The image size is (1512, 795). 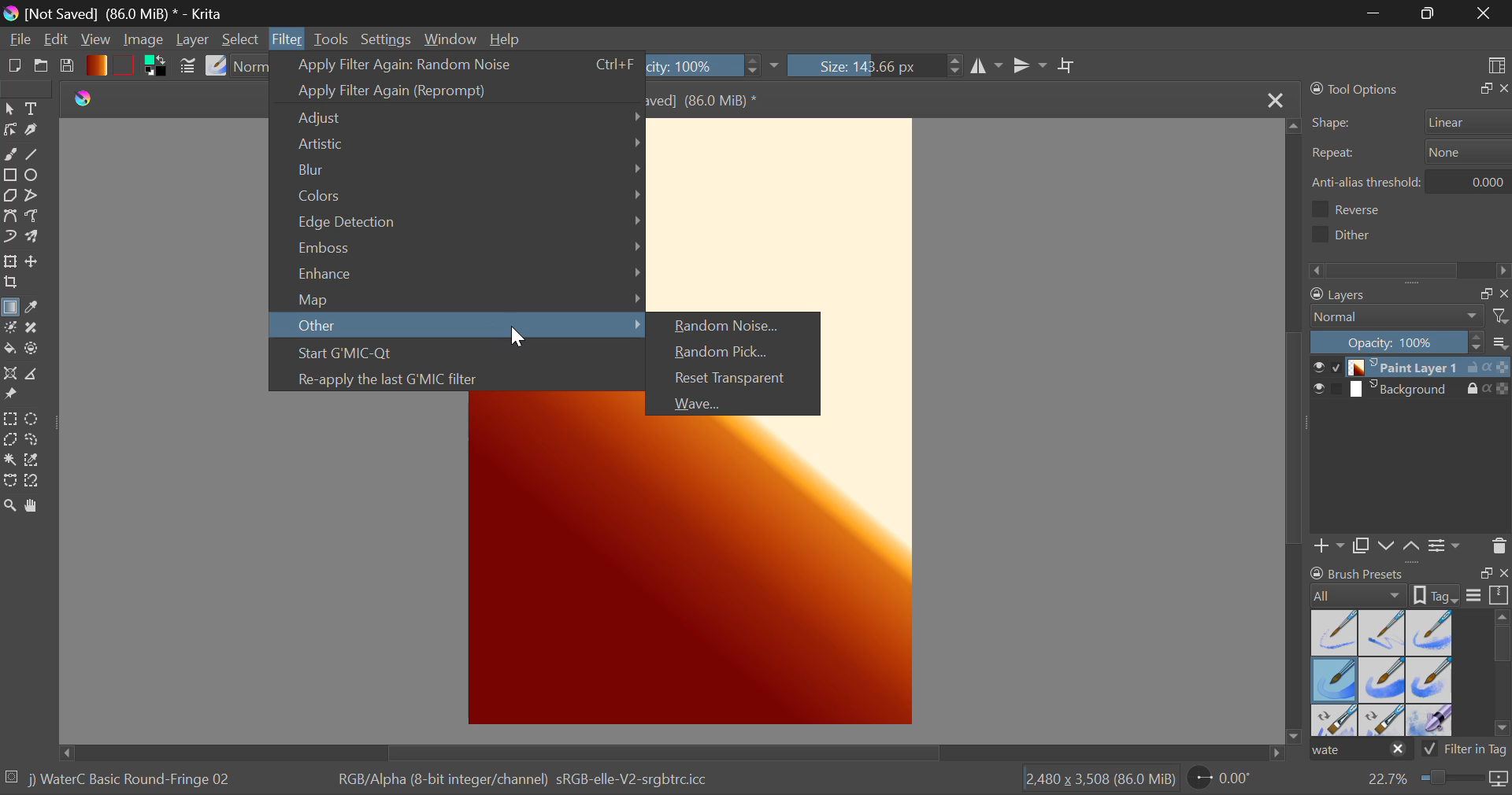 What do you see at coordinates (1484, 13) in the screenshot?
I see `Close` at bounding box center [1484, 13].